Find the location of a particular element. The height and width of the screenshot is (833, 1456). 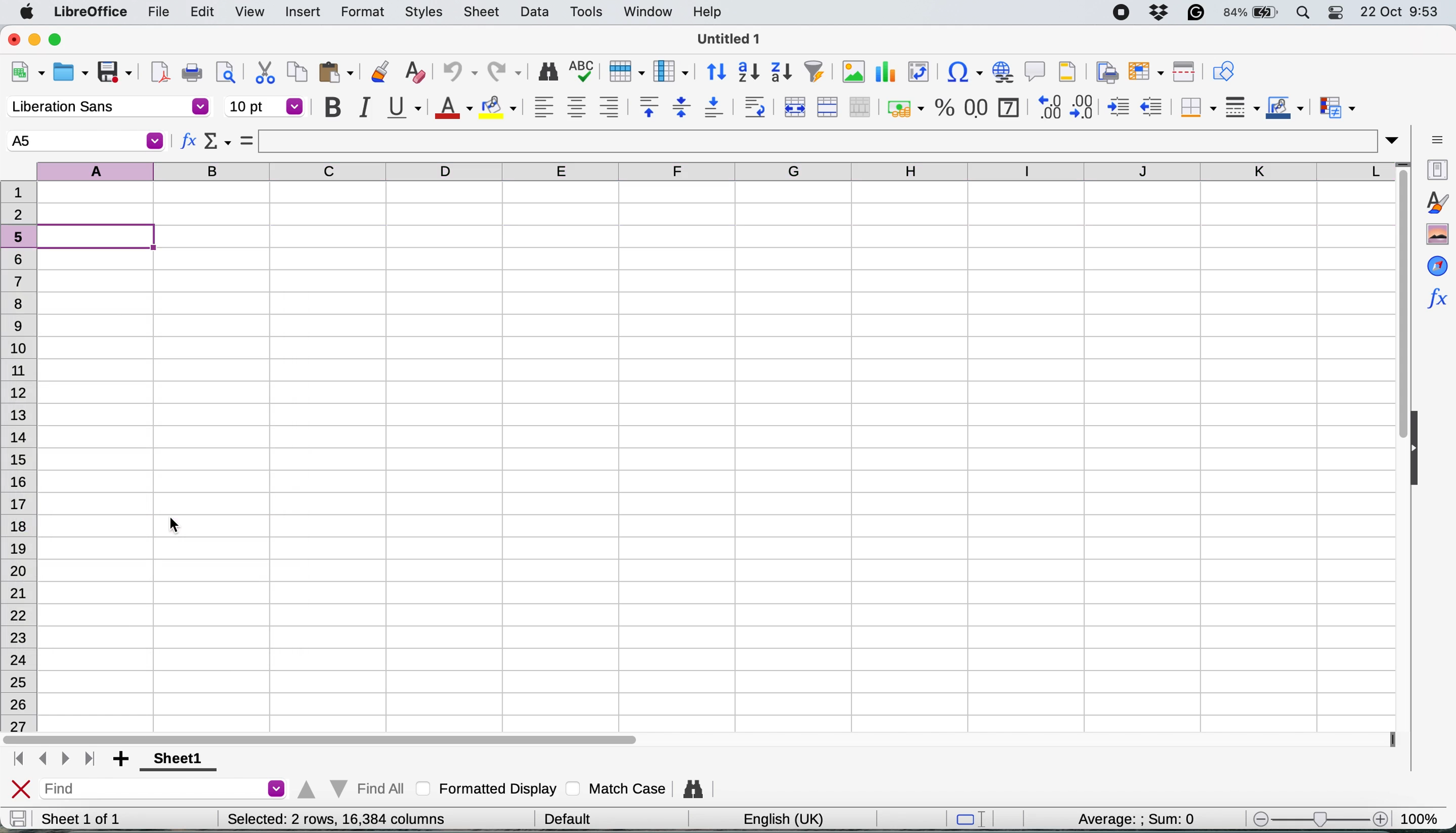

font is located at coordinates (108, 108).